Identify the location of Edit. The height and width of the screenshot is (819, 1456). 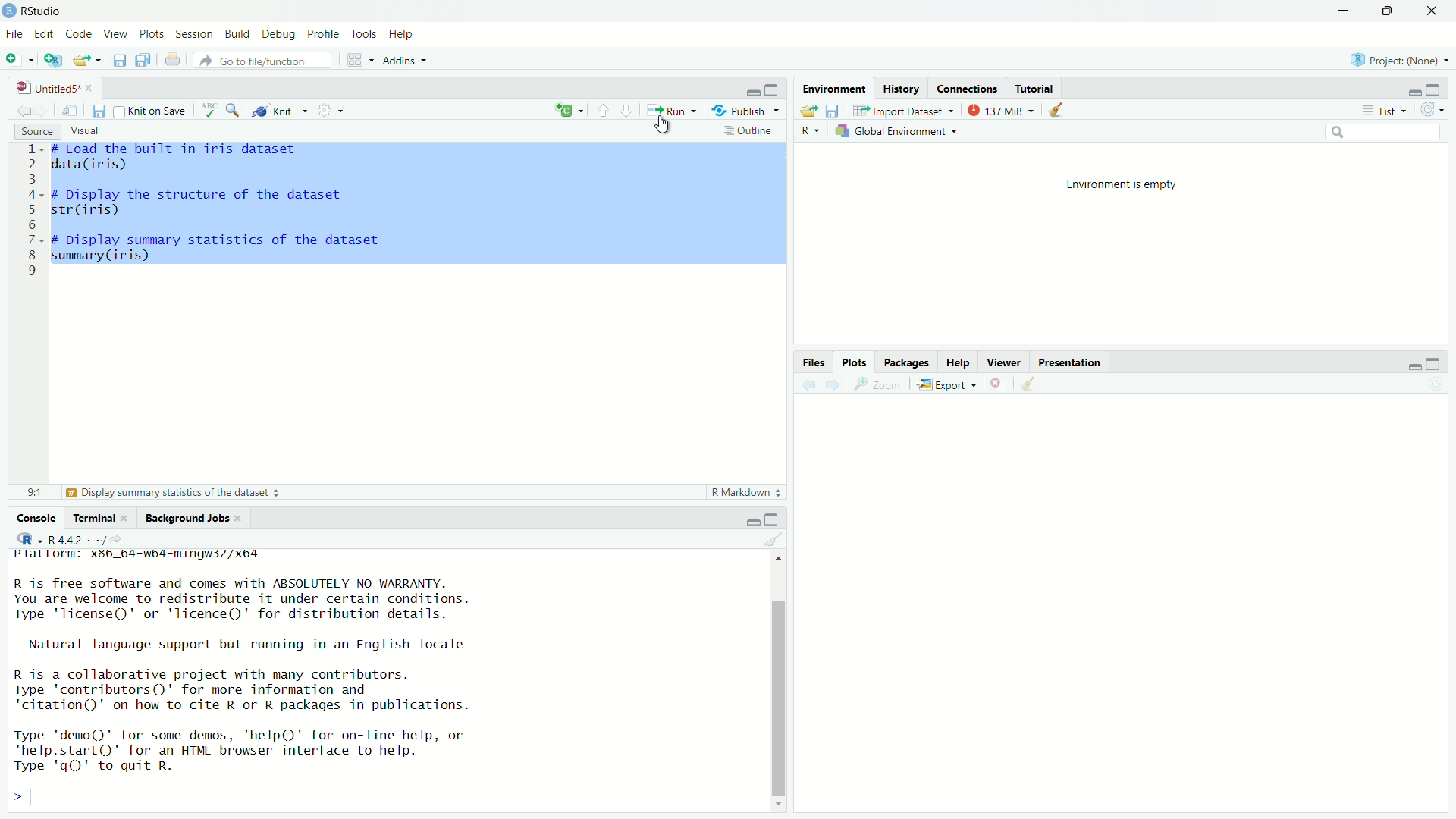
(45, 34).